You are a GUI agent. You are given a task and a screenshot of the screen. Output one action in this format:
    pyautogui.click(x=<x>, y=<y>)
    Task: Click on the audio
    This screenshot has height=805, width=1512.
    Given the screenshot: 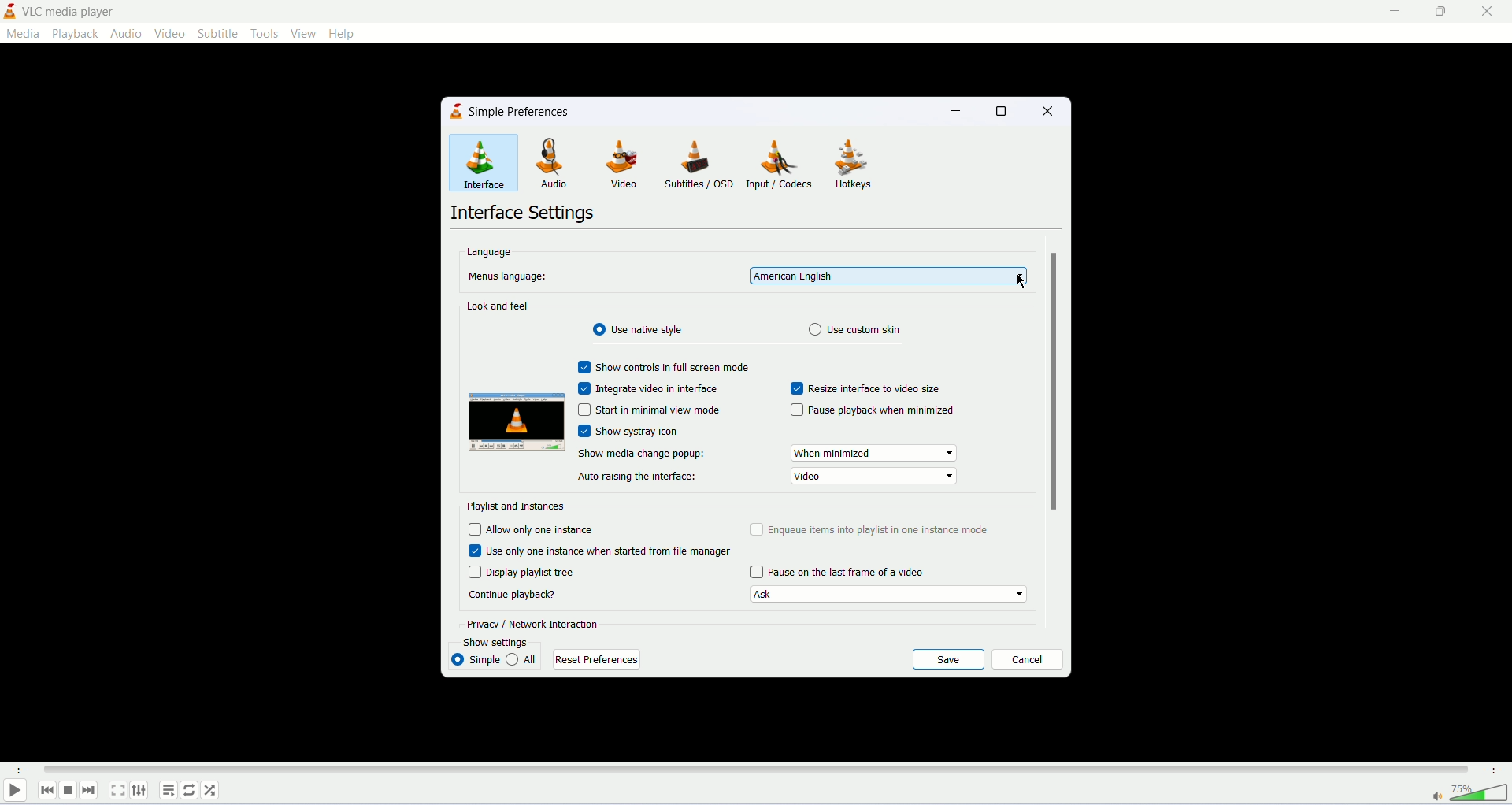 What is the action you would take?
    pyautogui.click(x=547, y=161)
    